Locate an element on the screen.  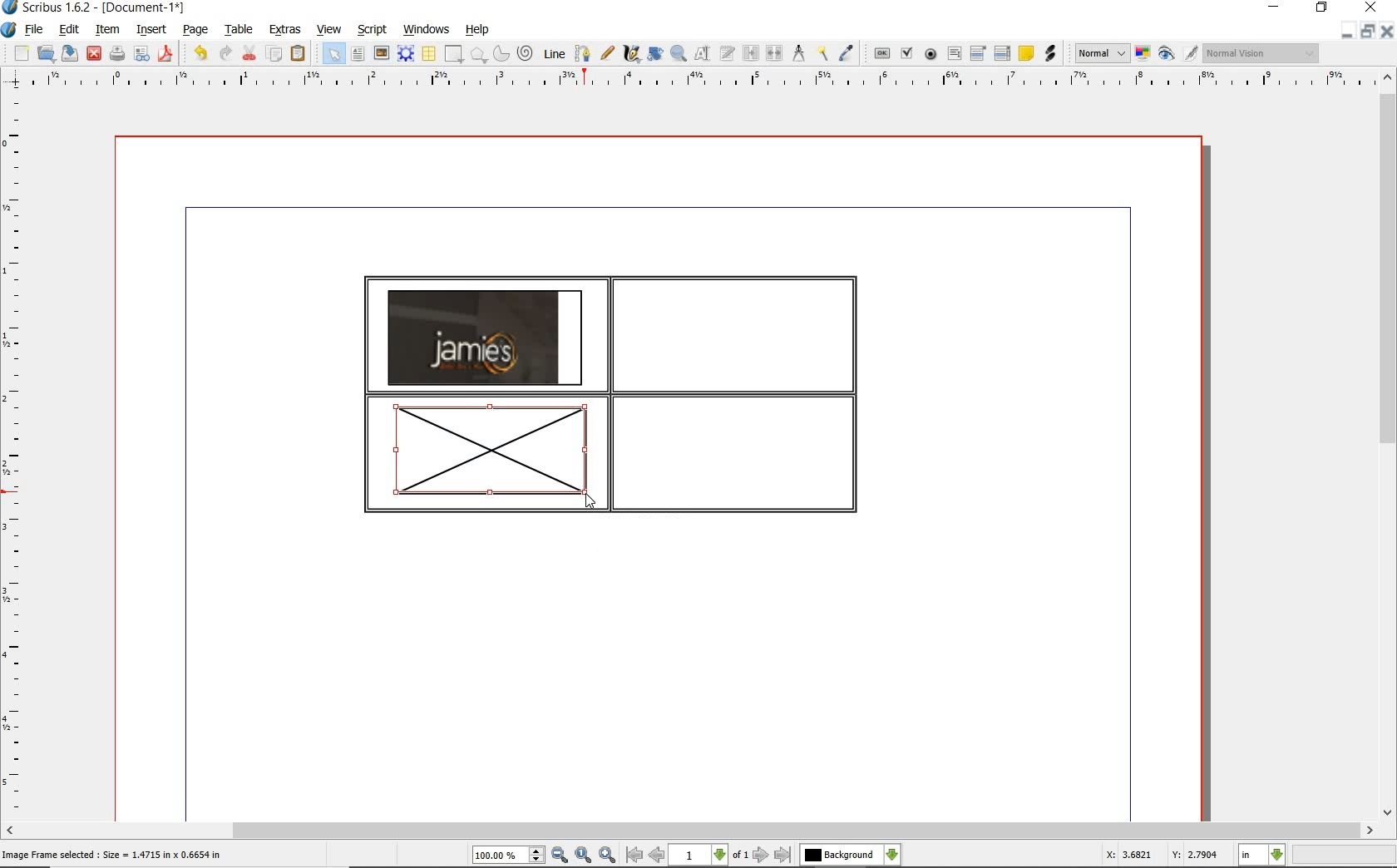
rotate item is located at coordinates (654, 55).